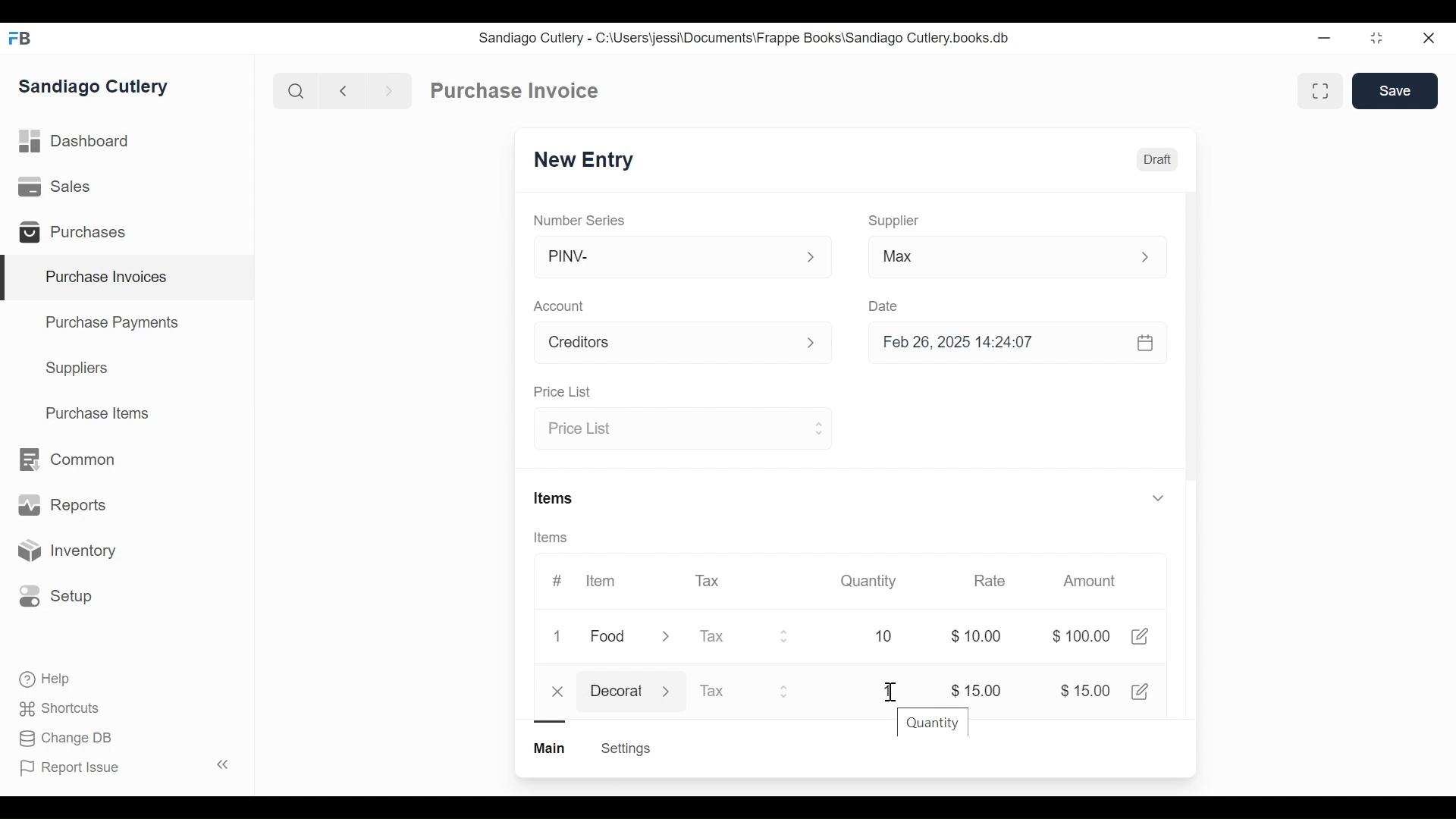  Describe the element at coordinates (934, 720) in the screenshot. I see `Quantity` at that location.